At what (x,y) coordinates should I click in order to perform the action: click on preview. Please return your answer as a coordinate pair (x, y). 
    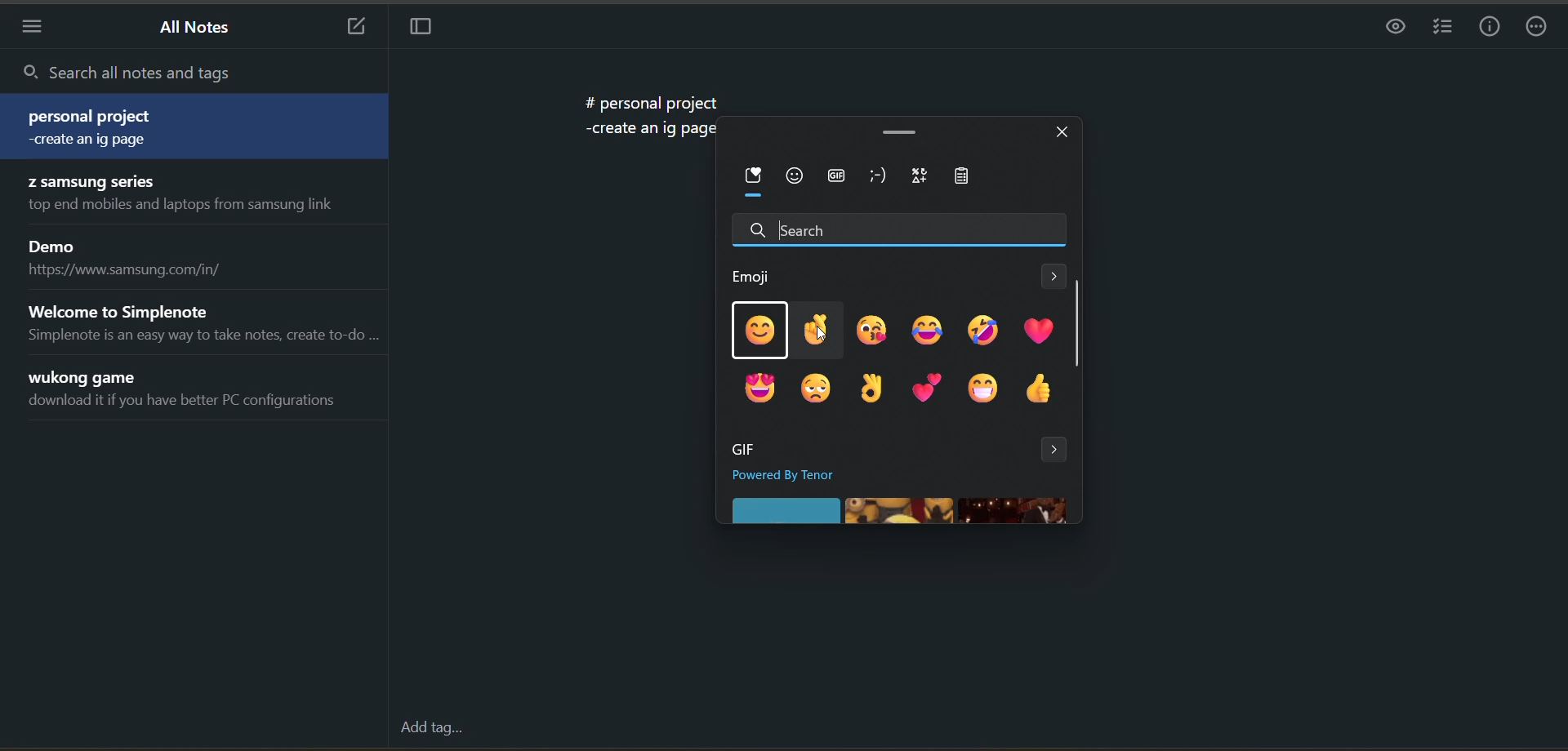
    Looking at the image, I should click on (1394, 26).